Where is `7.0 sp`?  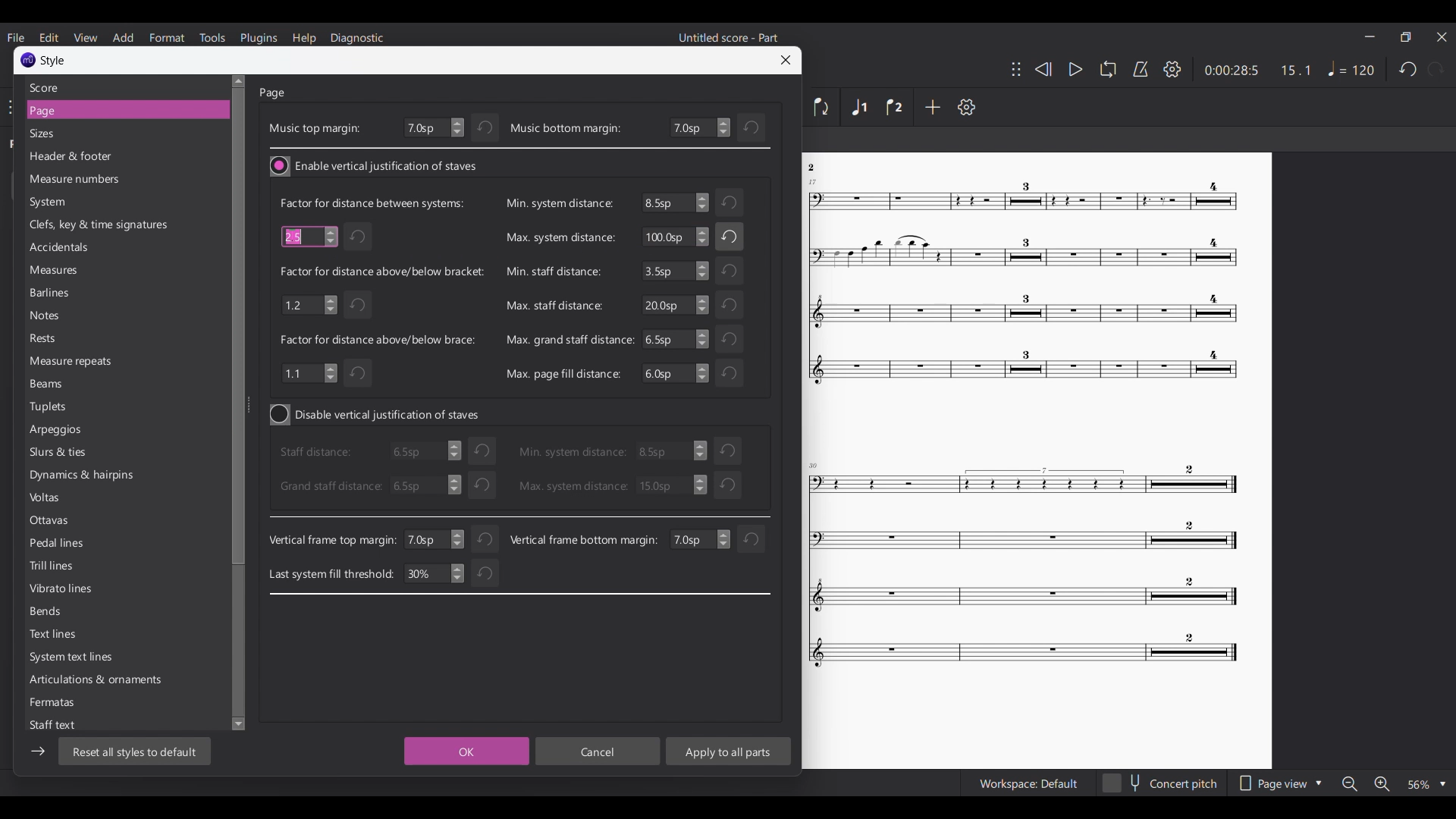 7.0 sp is located at coordinates (437, 539).